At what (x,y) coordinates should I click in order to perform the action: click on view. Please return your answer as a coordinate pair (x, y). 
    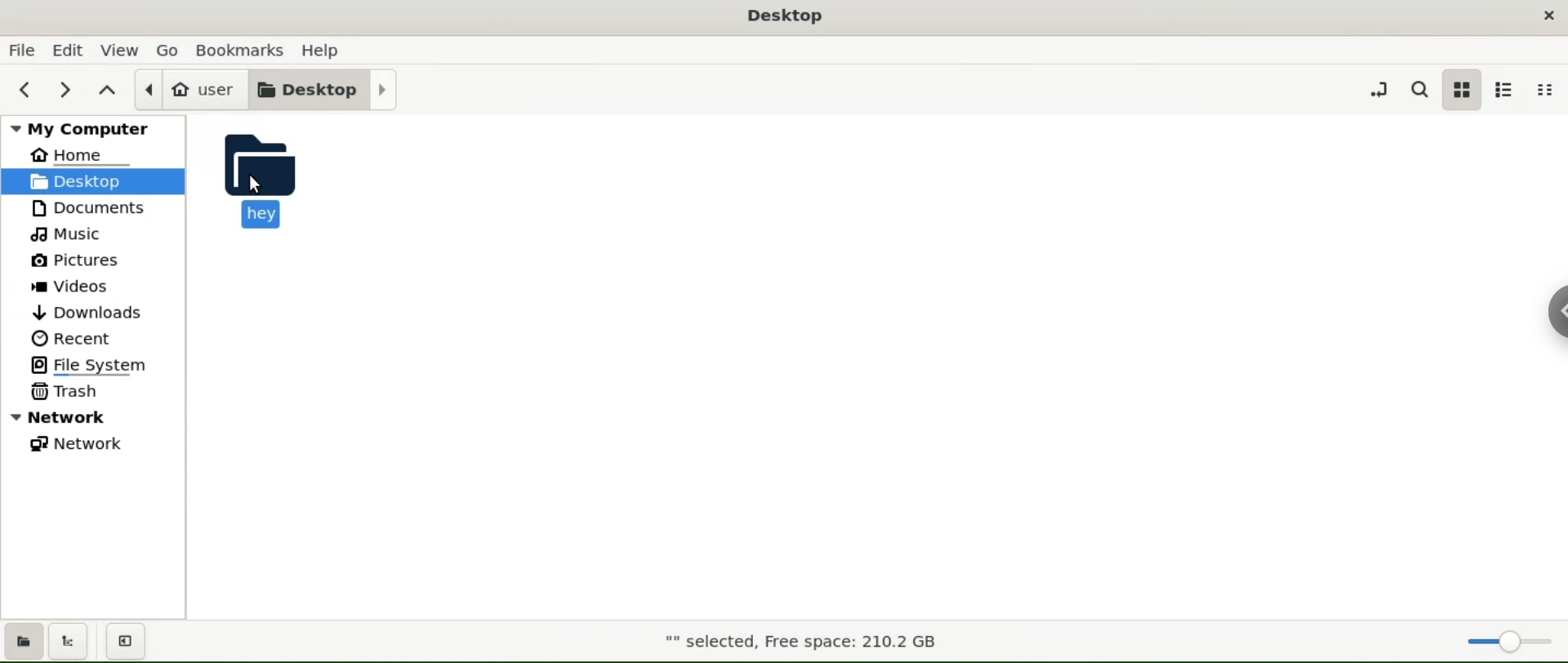
    Looking at the image, I should click on (120, 49).